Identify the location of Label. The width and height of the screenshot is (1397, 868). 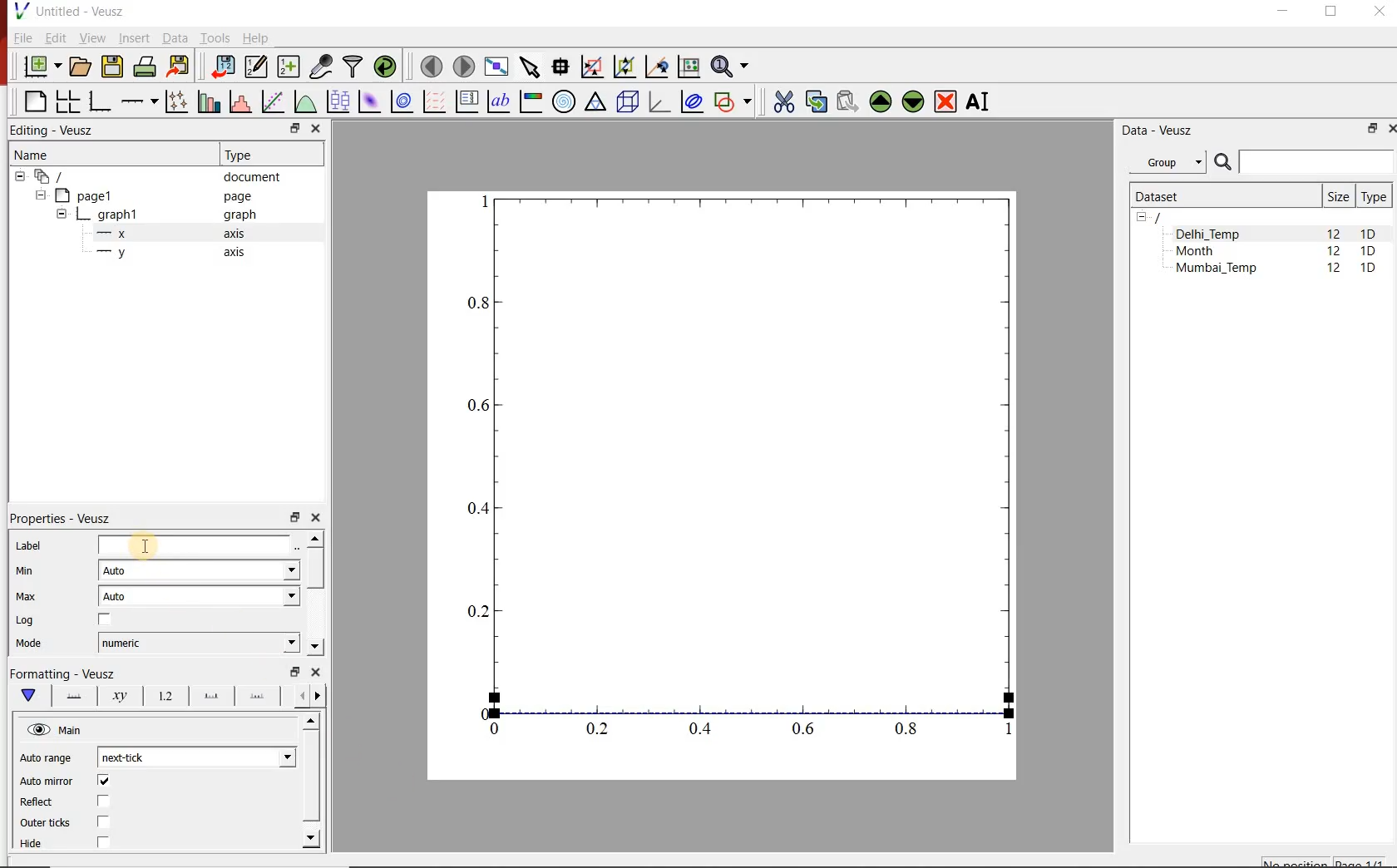
(27, 545).